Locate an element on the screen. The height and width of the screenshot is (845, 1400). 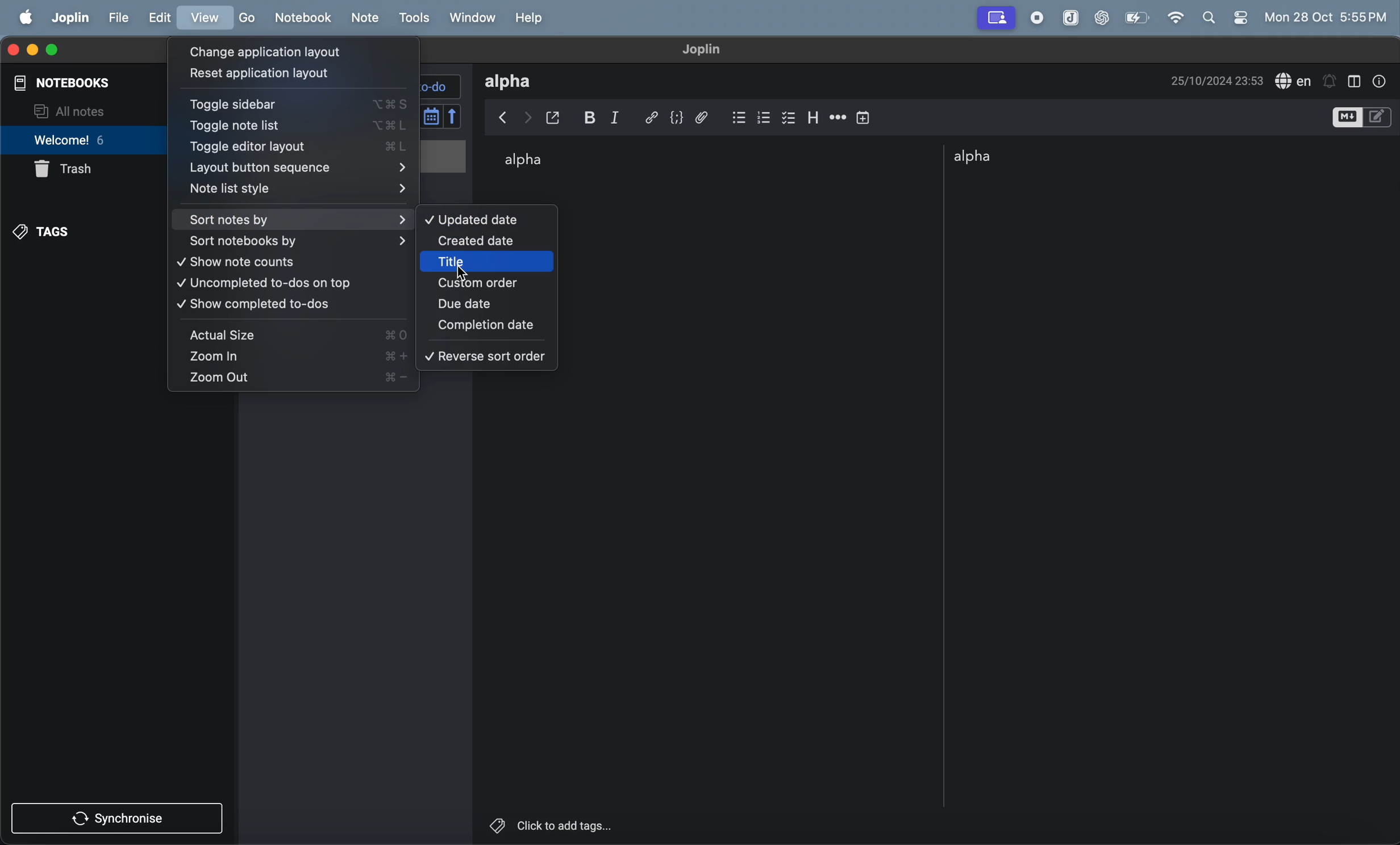
title joplin is located at coordinates (708, 50).